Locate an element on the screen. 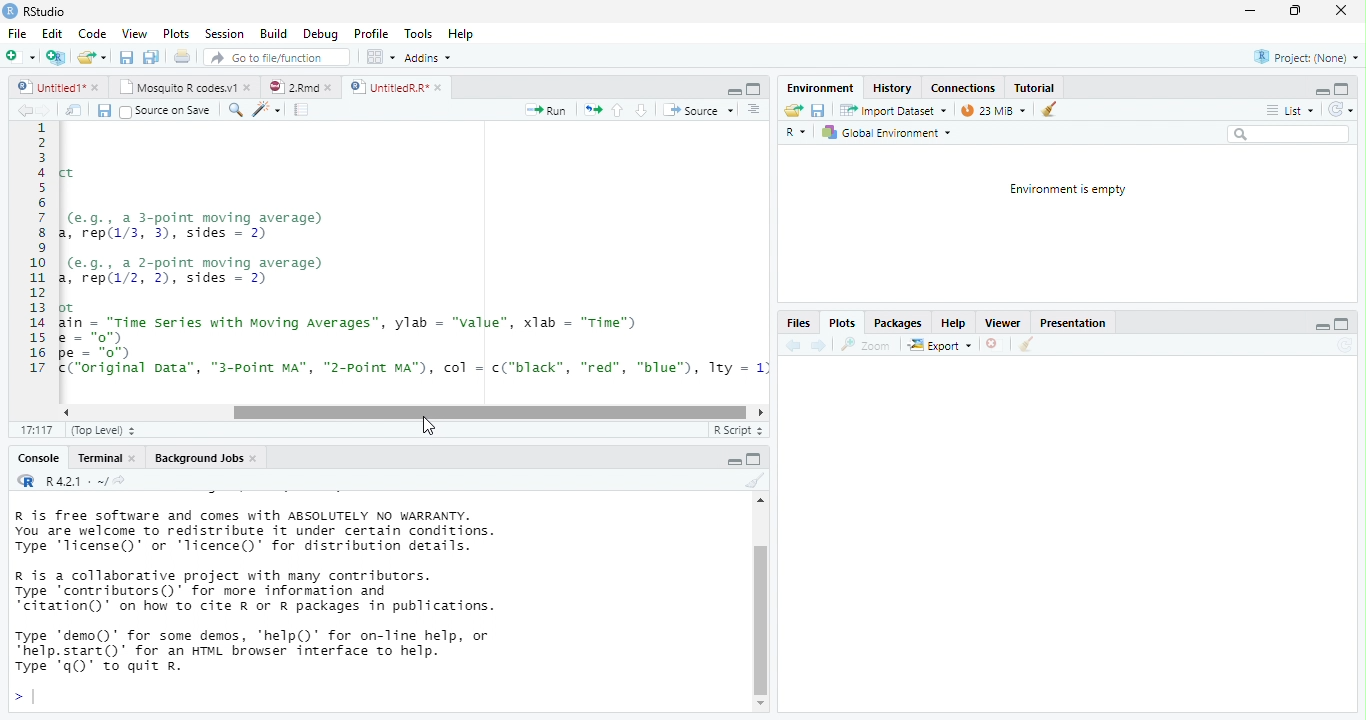  minimize is located at coordinates (1319, 93).